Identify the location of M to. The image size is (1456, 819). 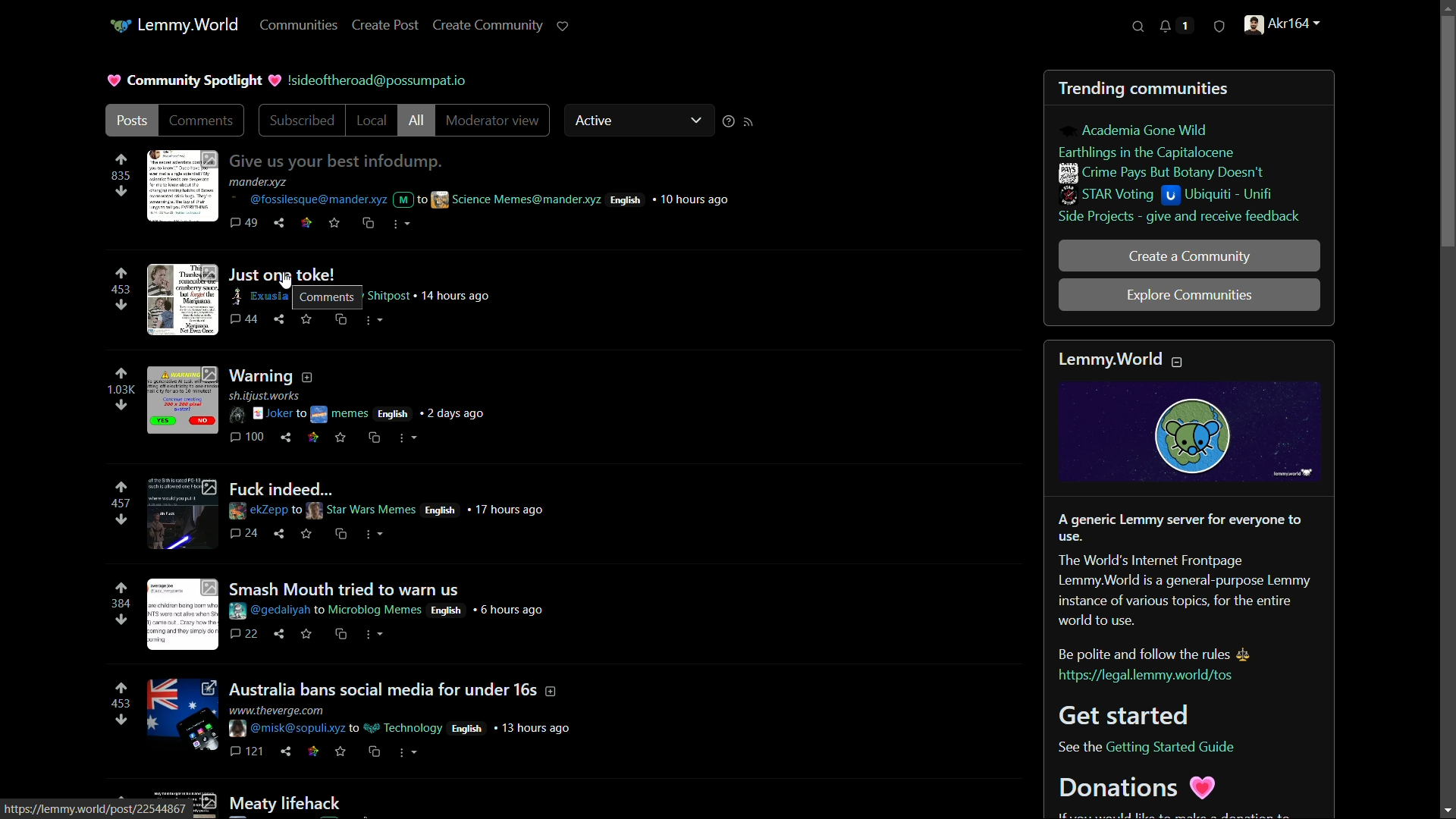
(410, 202).